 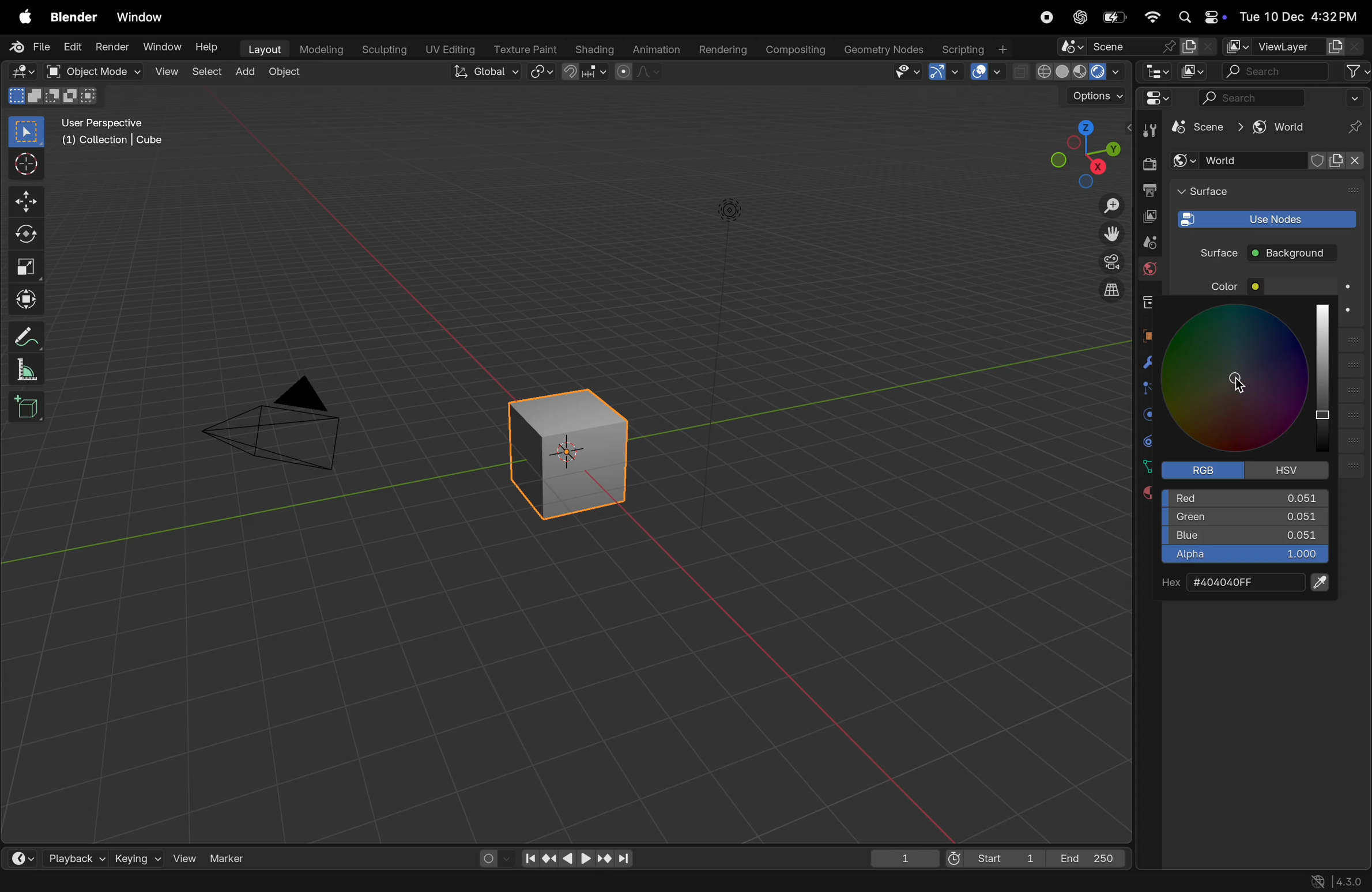 I want to click on Particles, so click(x=1149, y=390).